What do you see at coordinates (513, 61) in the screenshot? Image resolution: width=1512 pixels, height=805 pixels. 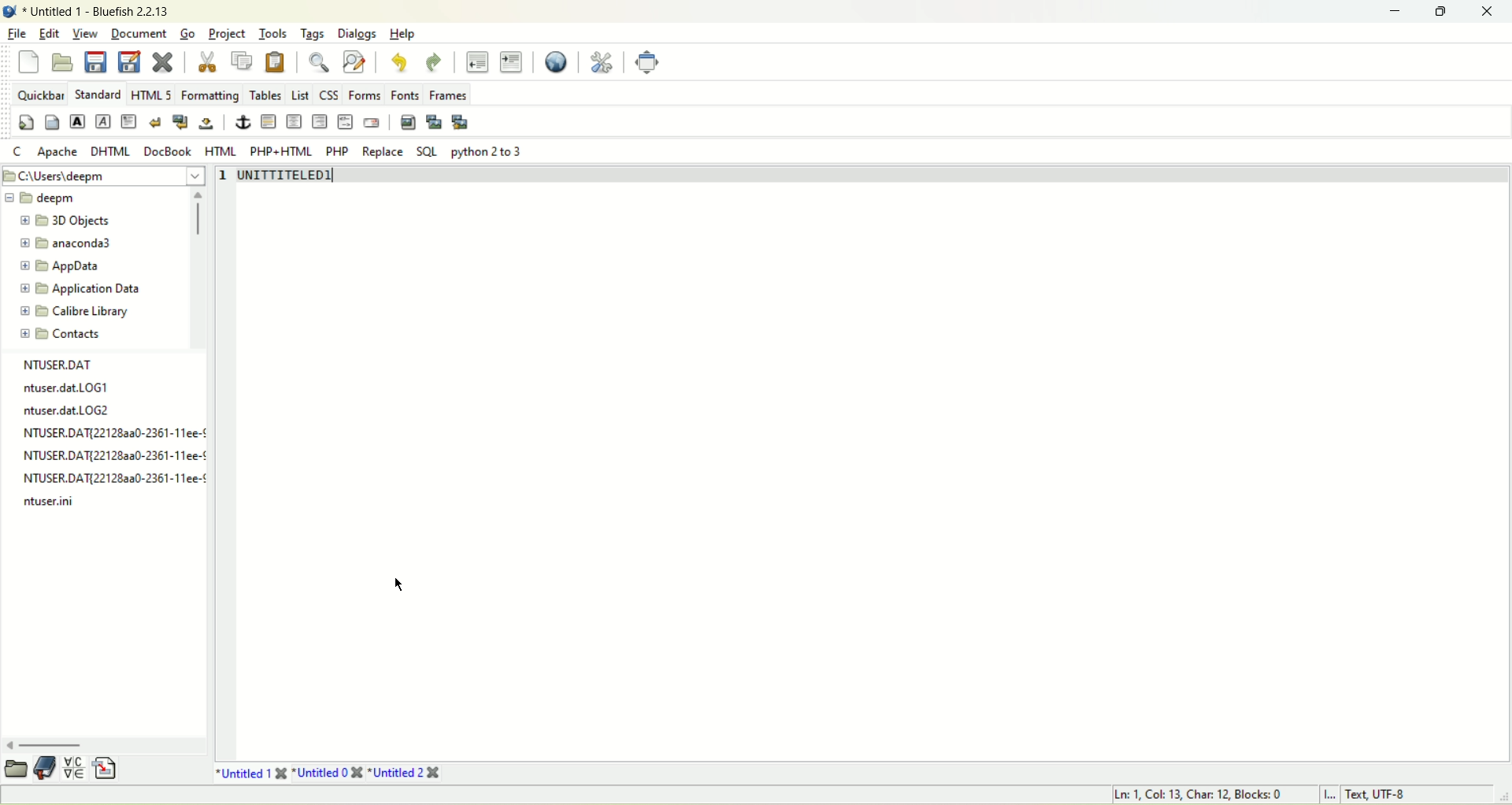 I see `indent ` at bounding box center [513, 61].